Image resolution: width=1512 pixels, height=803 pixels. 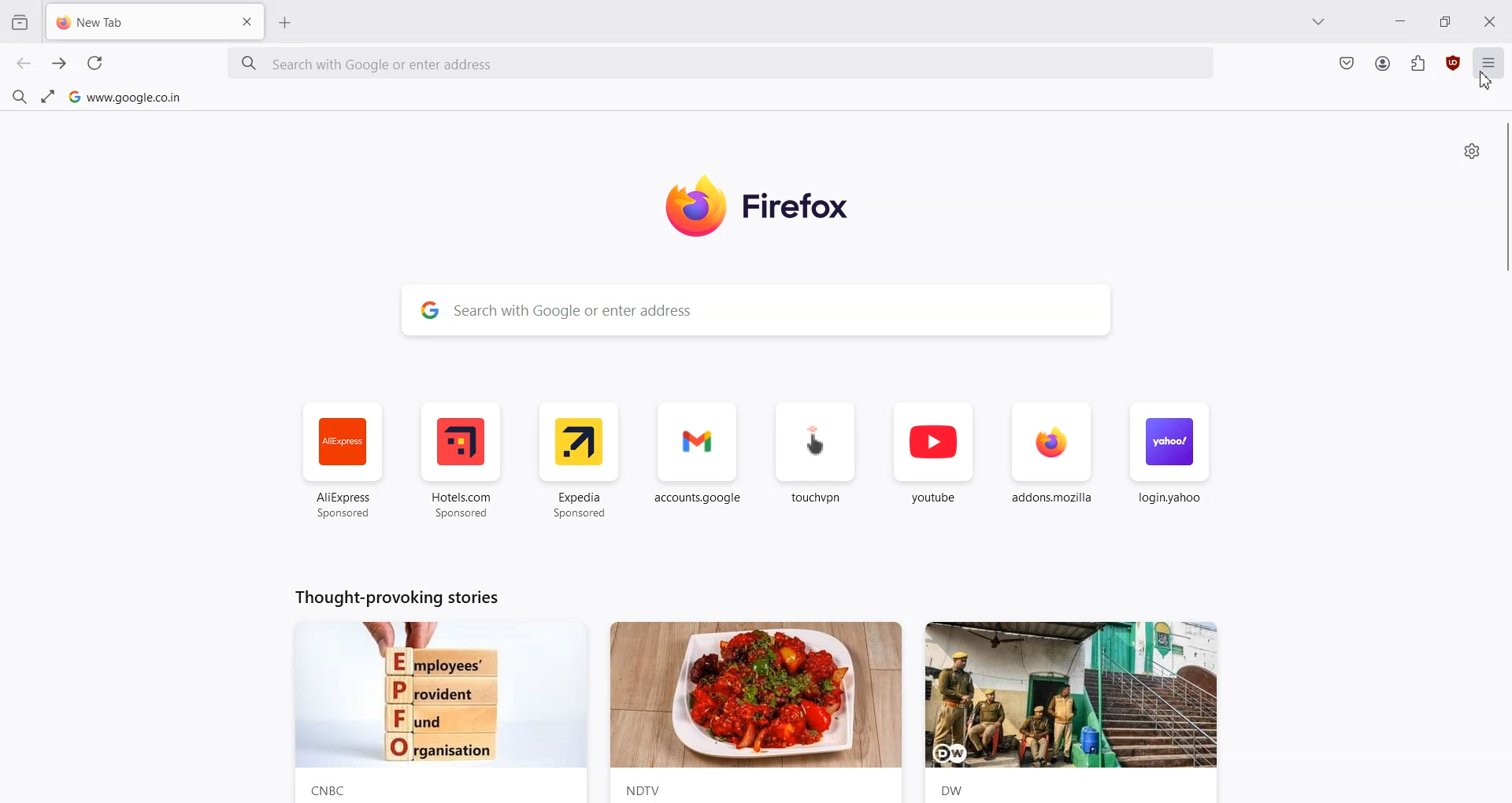 I want to click on Close, so click(x=1491, y=20).